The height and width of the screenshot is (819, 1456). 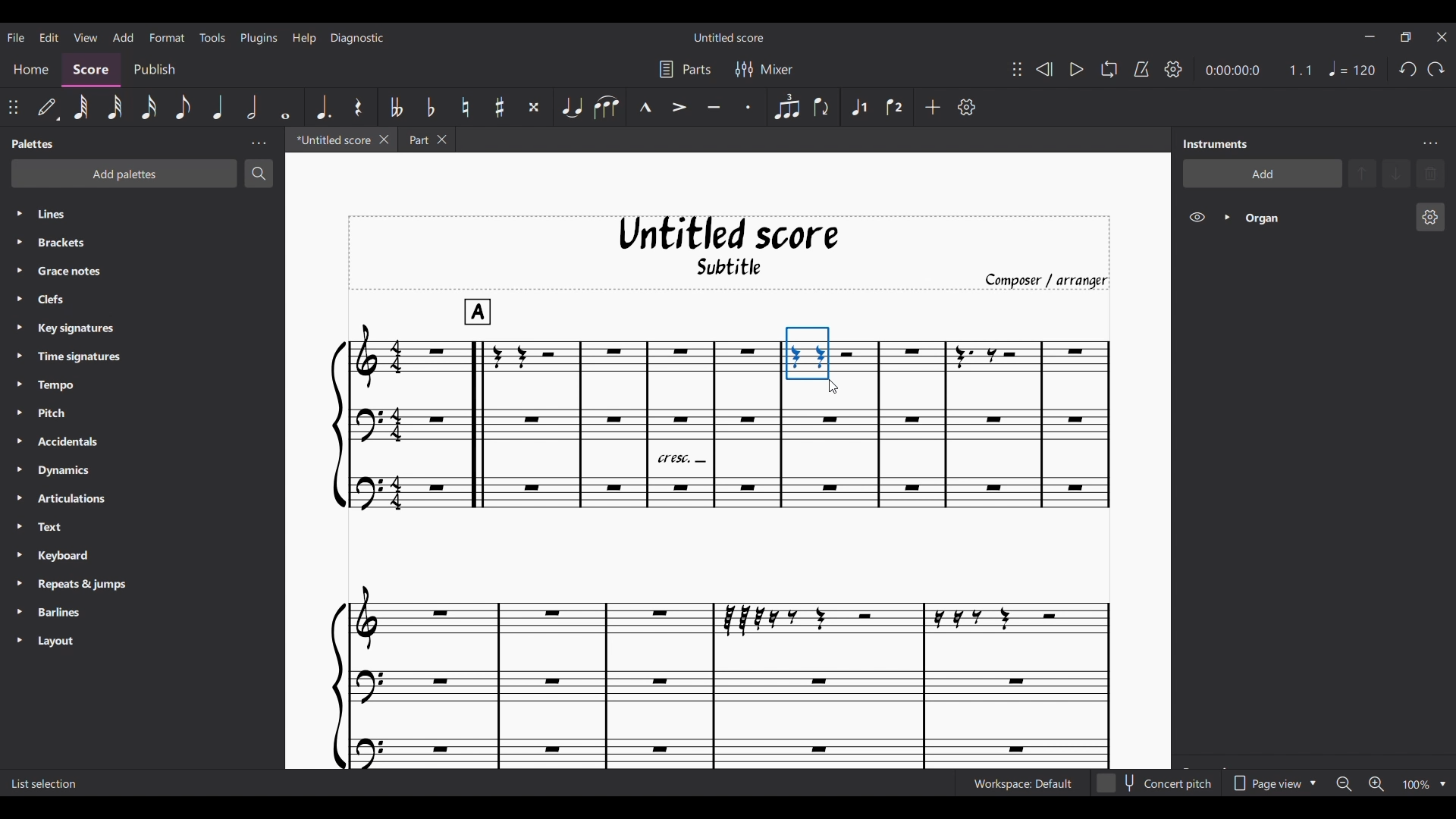 I want to click on Tools menu, so click(x=212, y=36).